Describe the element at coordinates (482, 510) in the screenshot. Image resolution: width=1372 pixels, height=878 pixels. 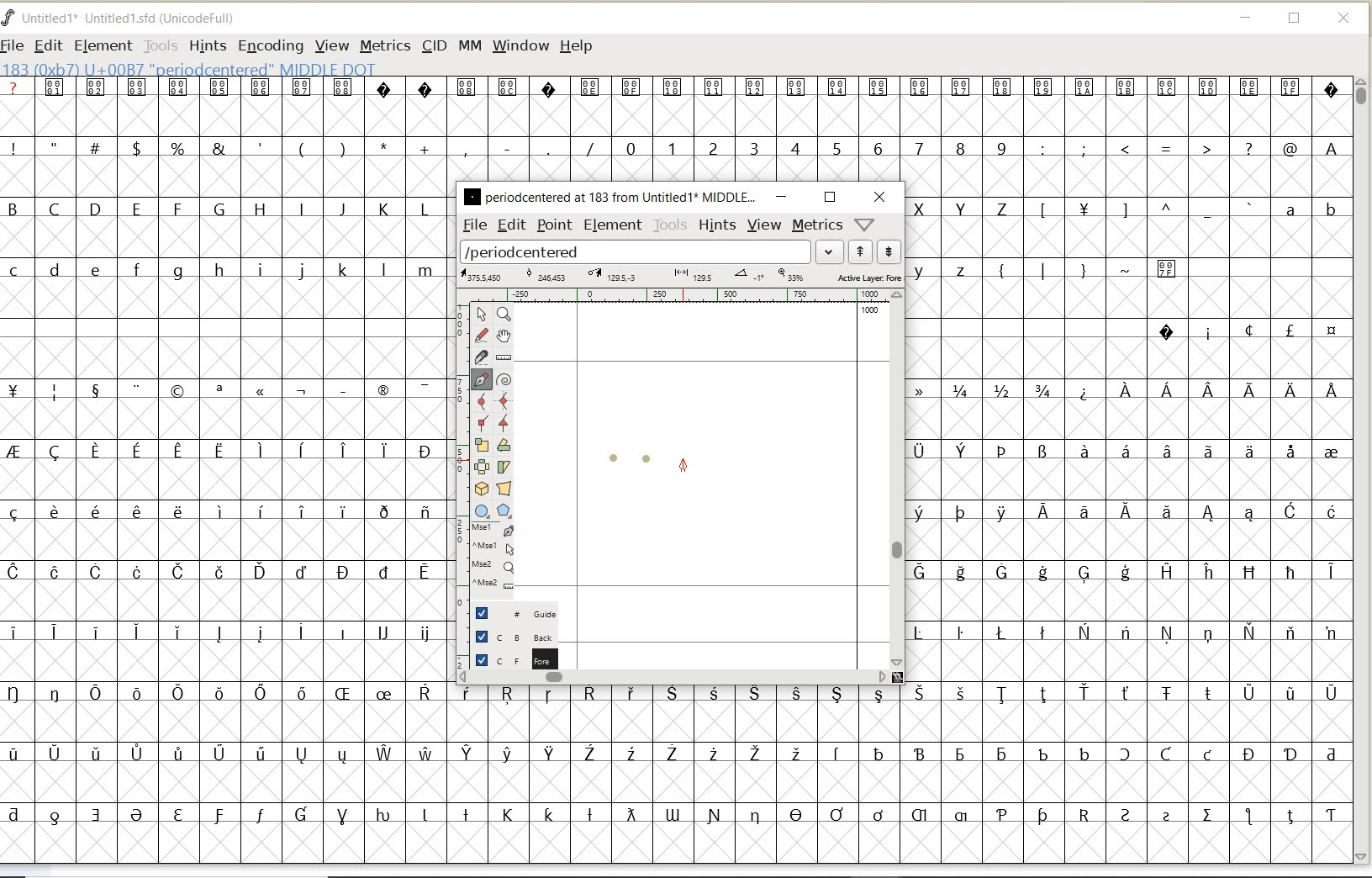
I see `rectangle or ellipse` at that location.